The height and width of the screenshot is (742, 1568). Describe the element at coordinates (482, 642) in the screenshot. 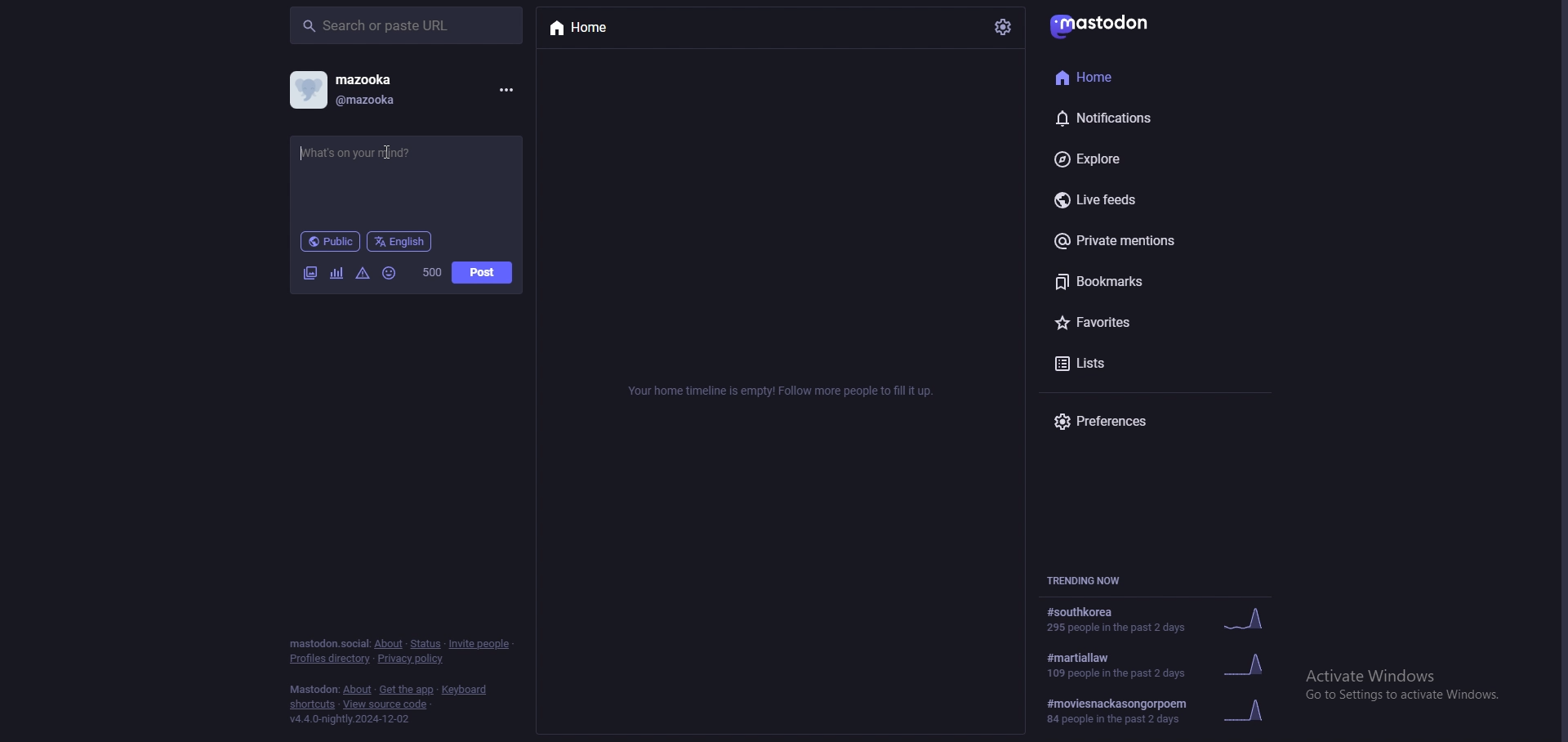

I see `invite people` at that location.